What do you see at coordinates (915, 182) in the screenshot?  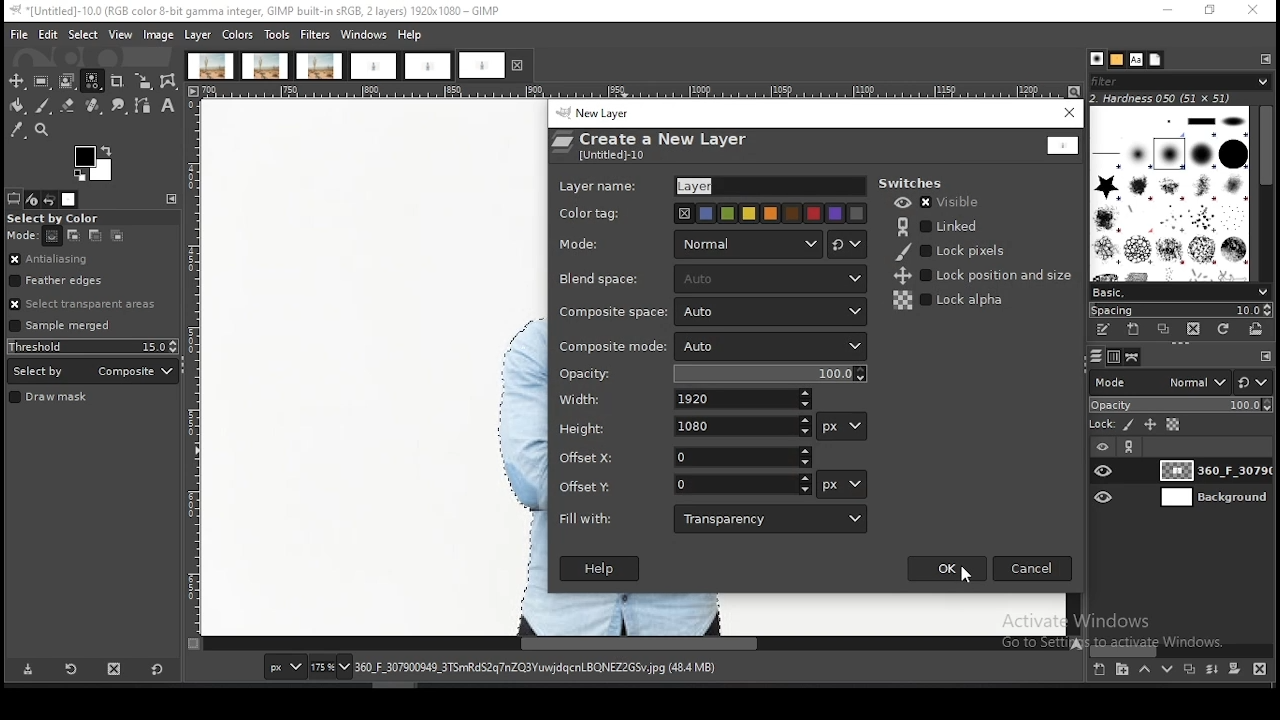 I see `switches` at bounding box center [915, 182].